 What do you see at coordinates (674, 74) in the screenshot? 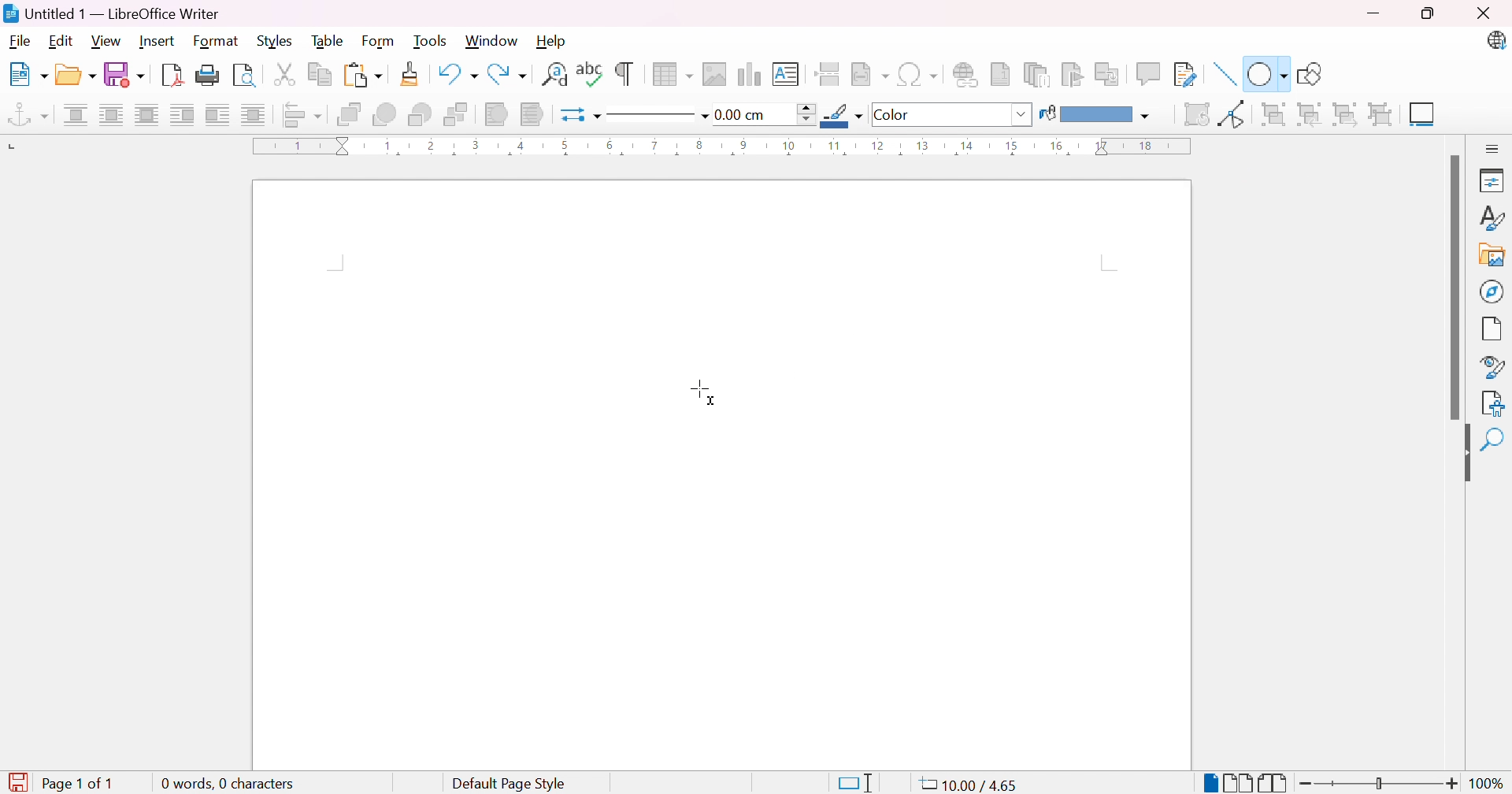
I see `Insert table` at bounding box center [674, 74].